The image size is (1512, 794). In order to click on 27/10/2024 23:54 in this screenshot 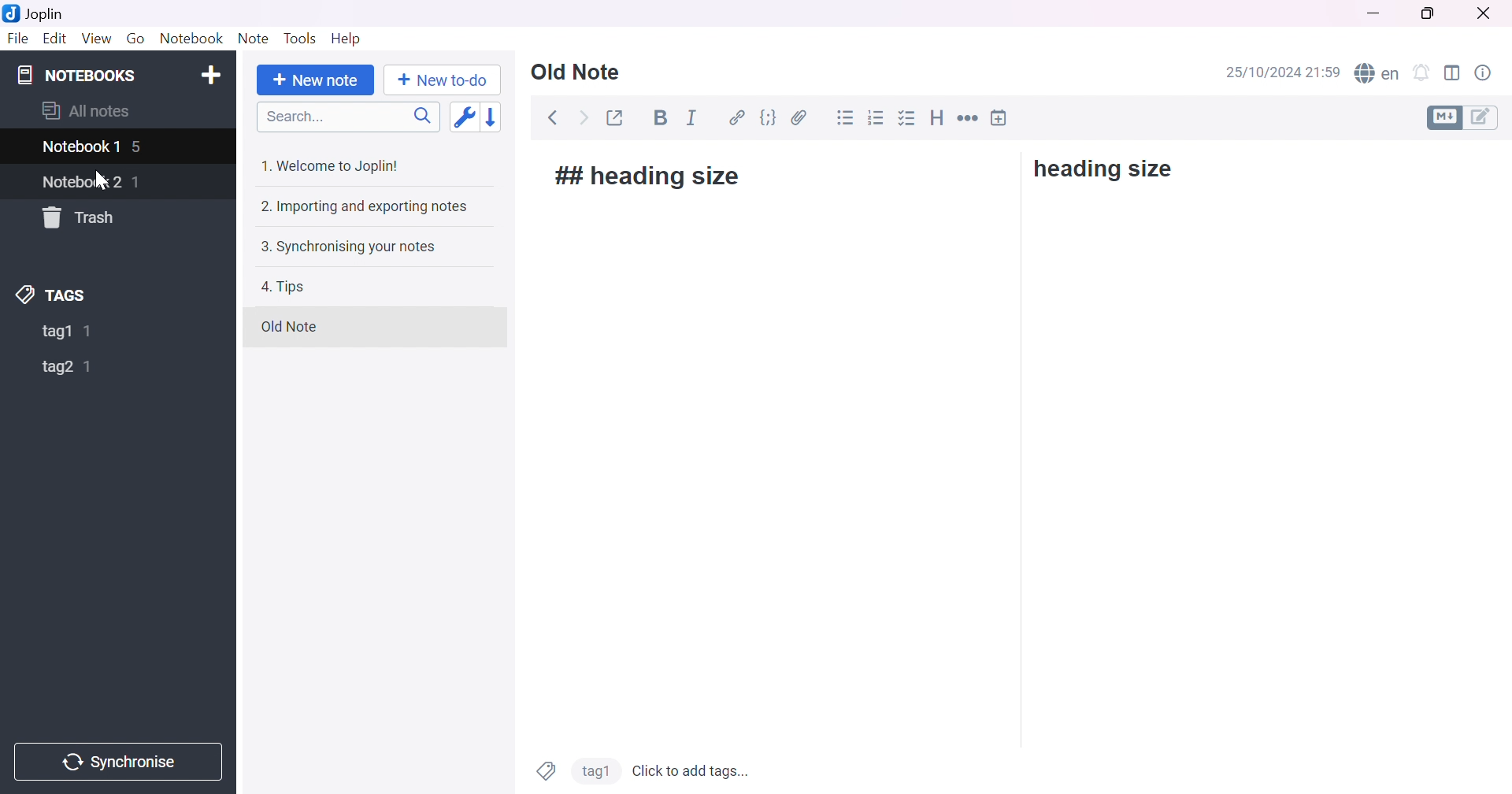, I will do `click(1284, 72)`.